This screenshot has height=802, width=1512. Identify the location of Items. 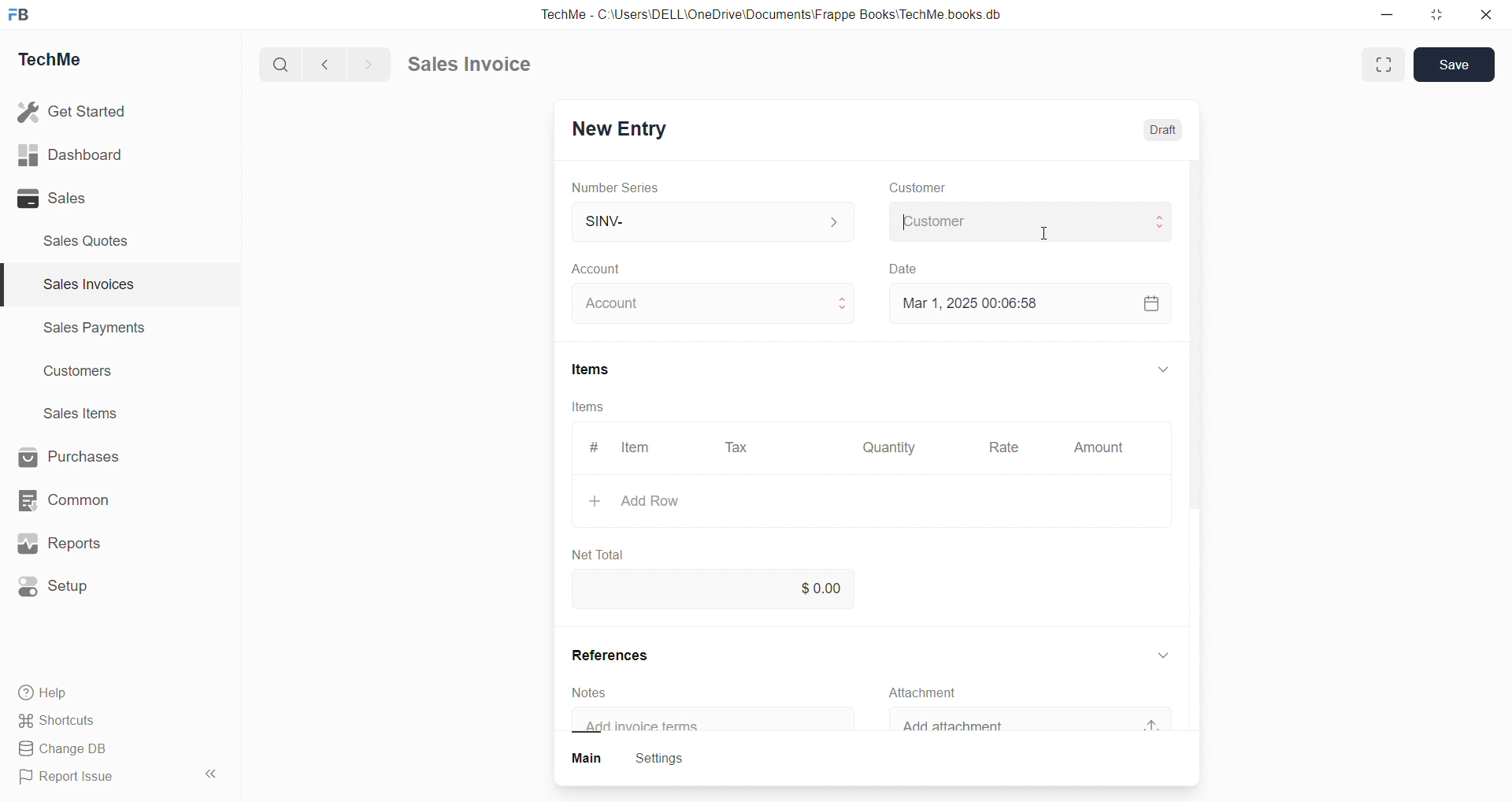
(602, 369).